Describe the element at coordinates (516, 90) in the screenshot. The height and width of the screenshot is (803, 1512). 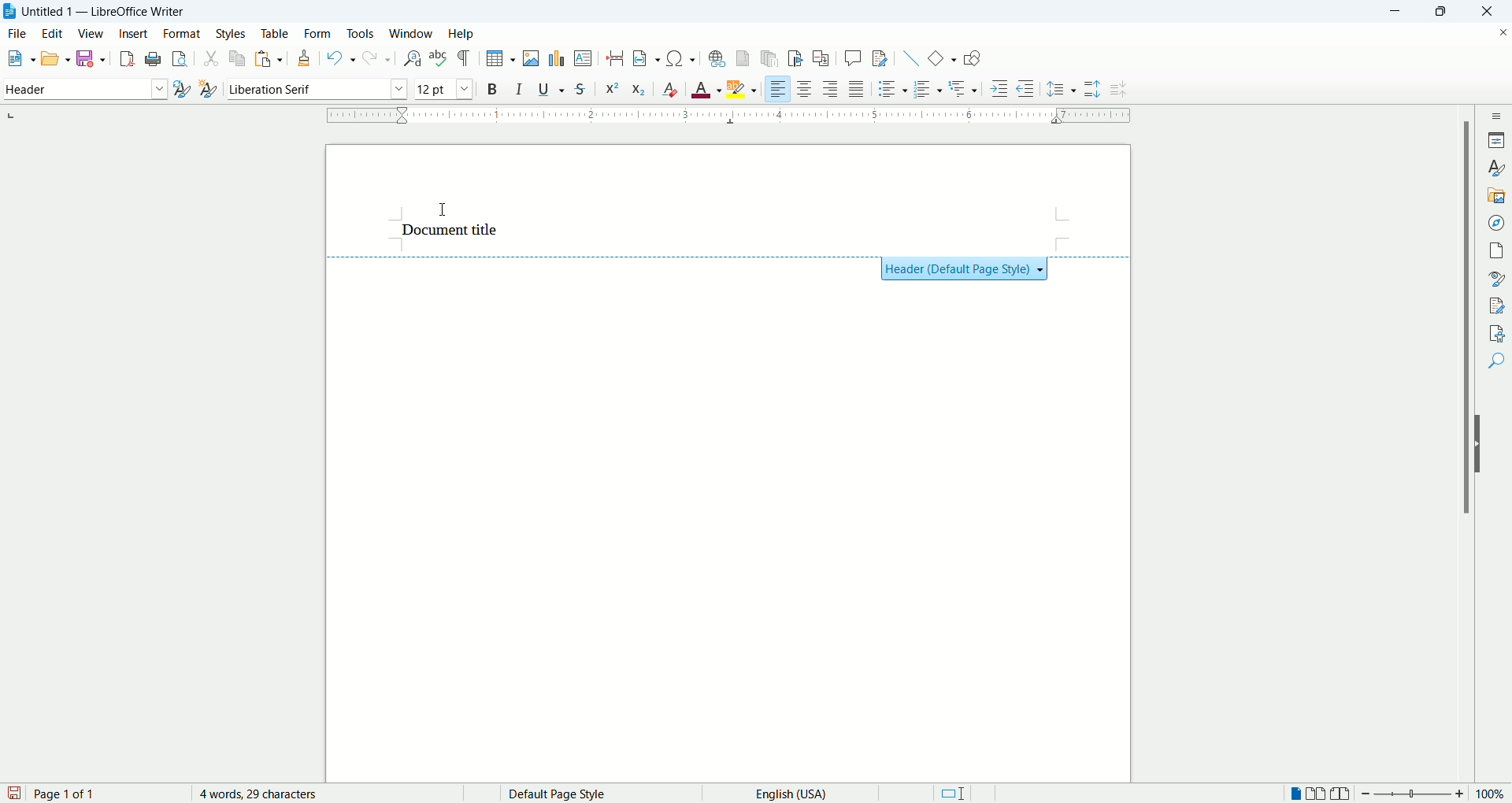
I see `italic` at that location.